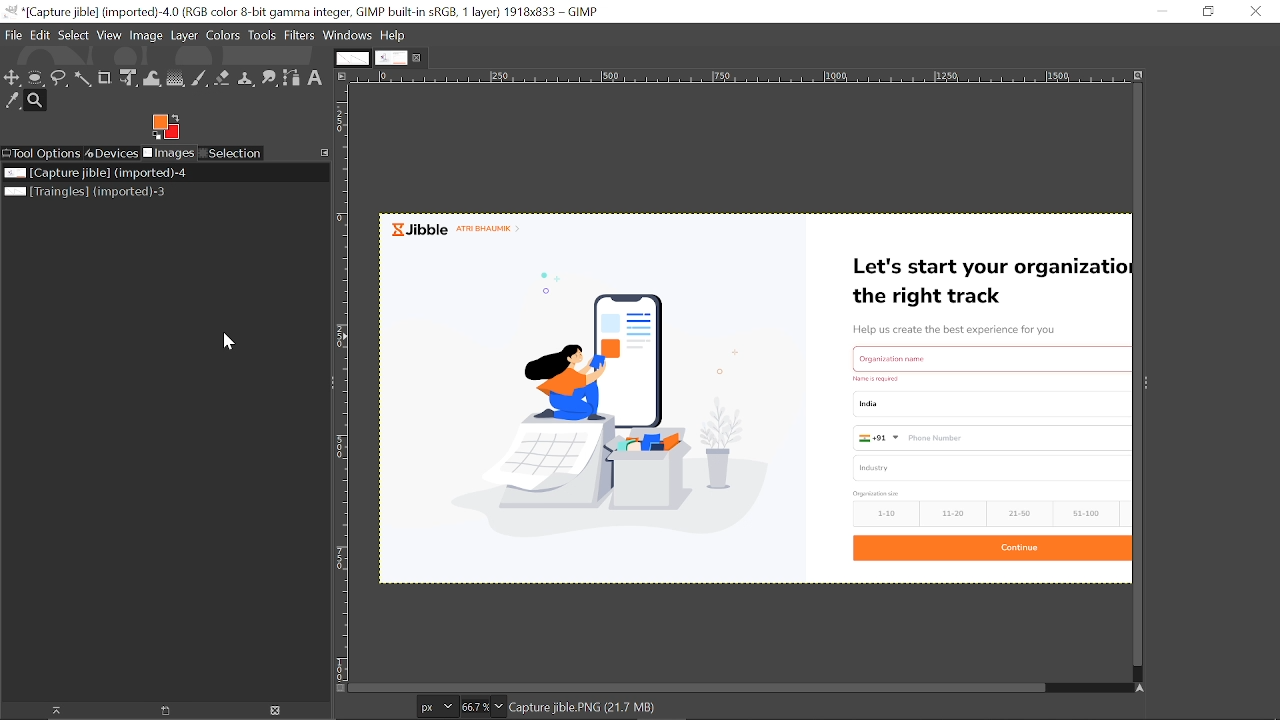 This screenshot has height=720, width=1280. Describe the element at coordinates (353, 58) in the screenshot. I see `First tab` at that location.